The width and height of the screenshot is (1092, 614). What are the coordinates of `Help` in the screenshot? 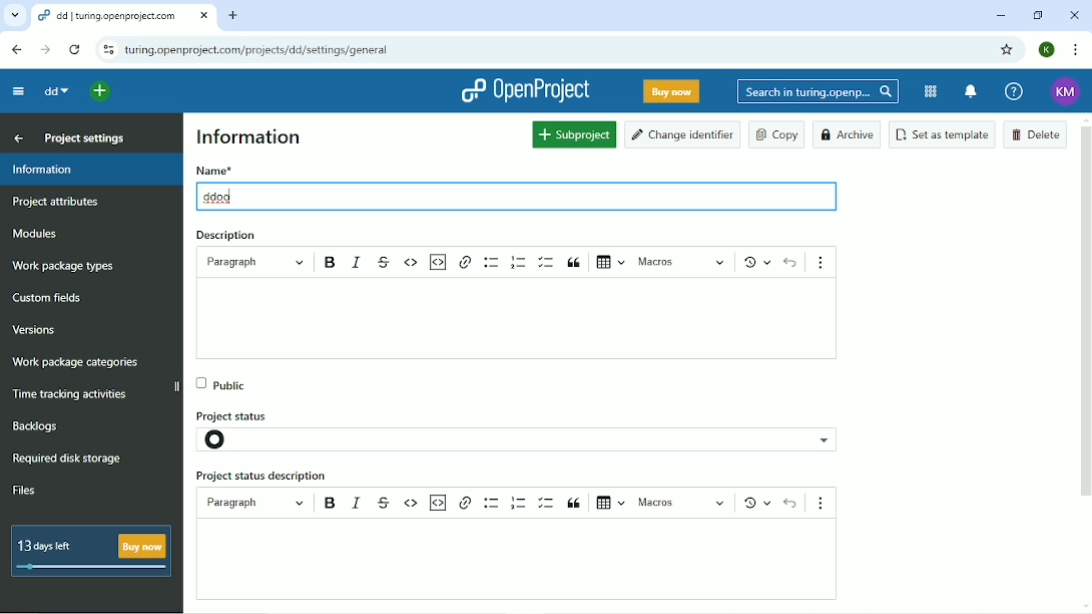 It's located at (1014, 91).